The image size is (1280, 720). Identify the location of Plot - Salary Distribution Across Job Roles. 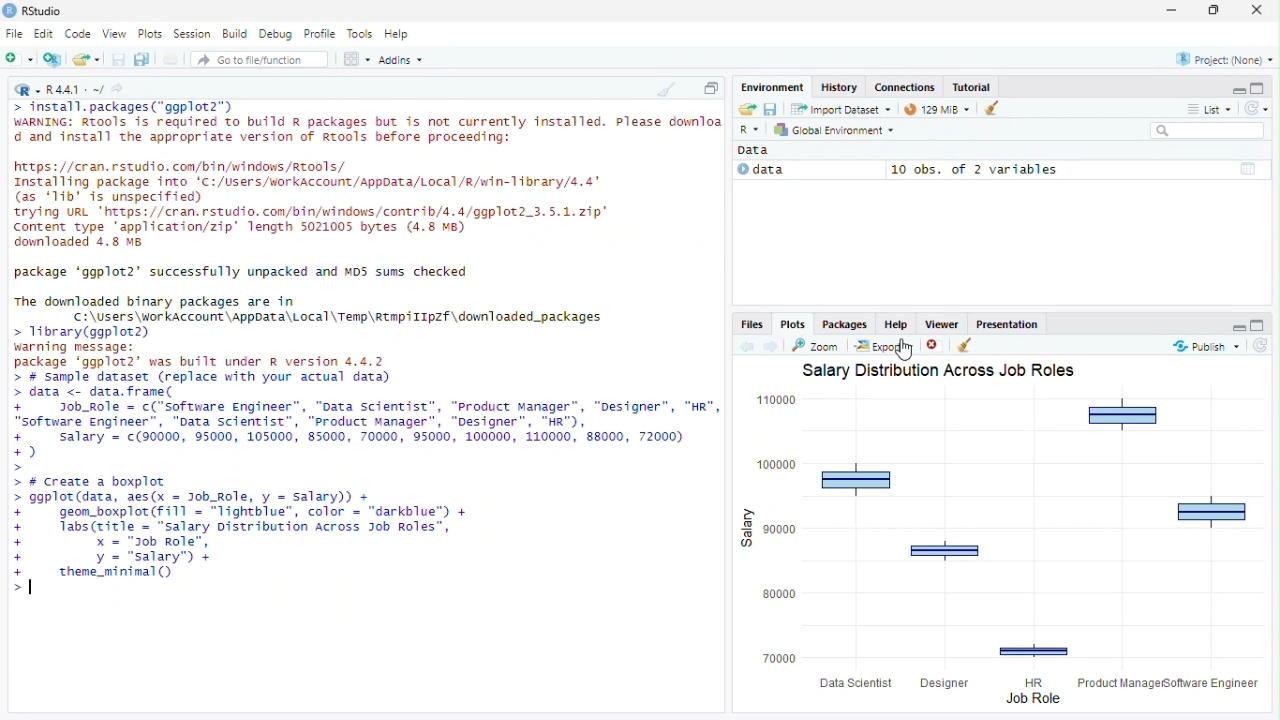
(1006, 537).